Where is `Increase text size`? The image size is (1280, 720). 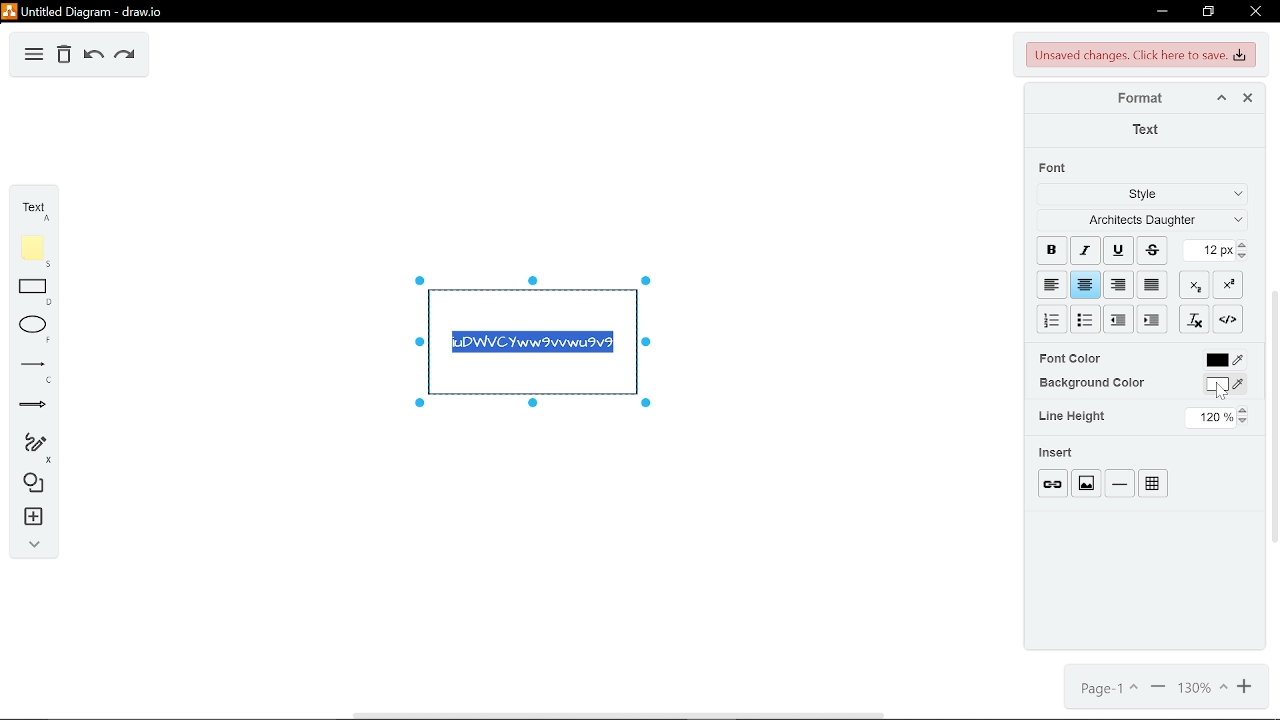
Increase text size is located at coordinates (1245, 245).